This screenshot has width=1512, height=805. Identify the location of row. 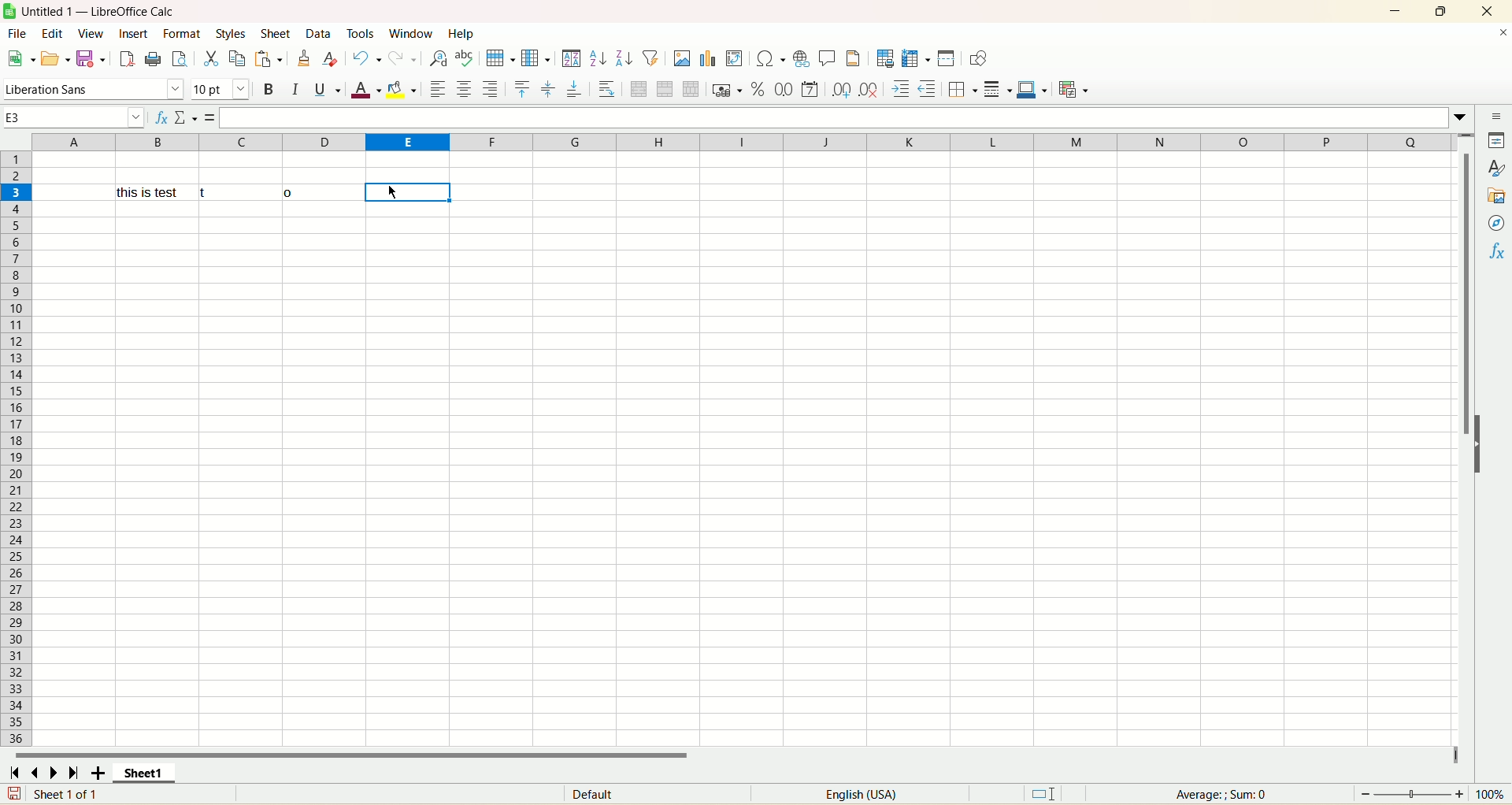
(502, 57).